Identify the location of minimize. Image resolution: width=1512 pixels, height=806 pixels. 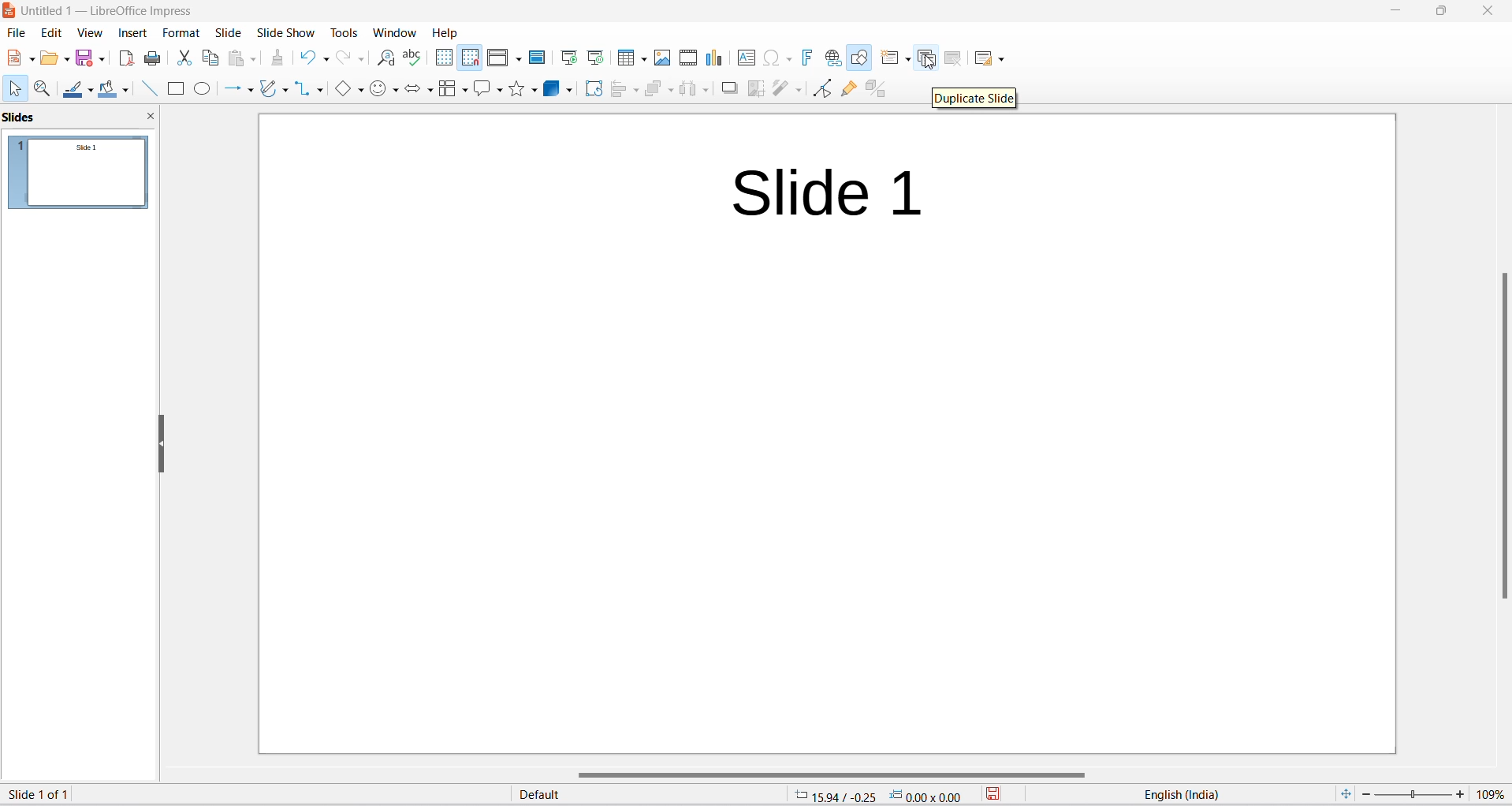
(1391, 10).